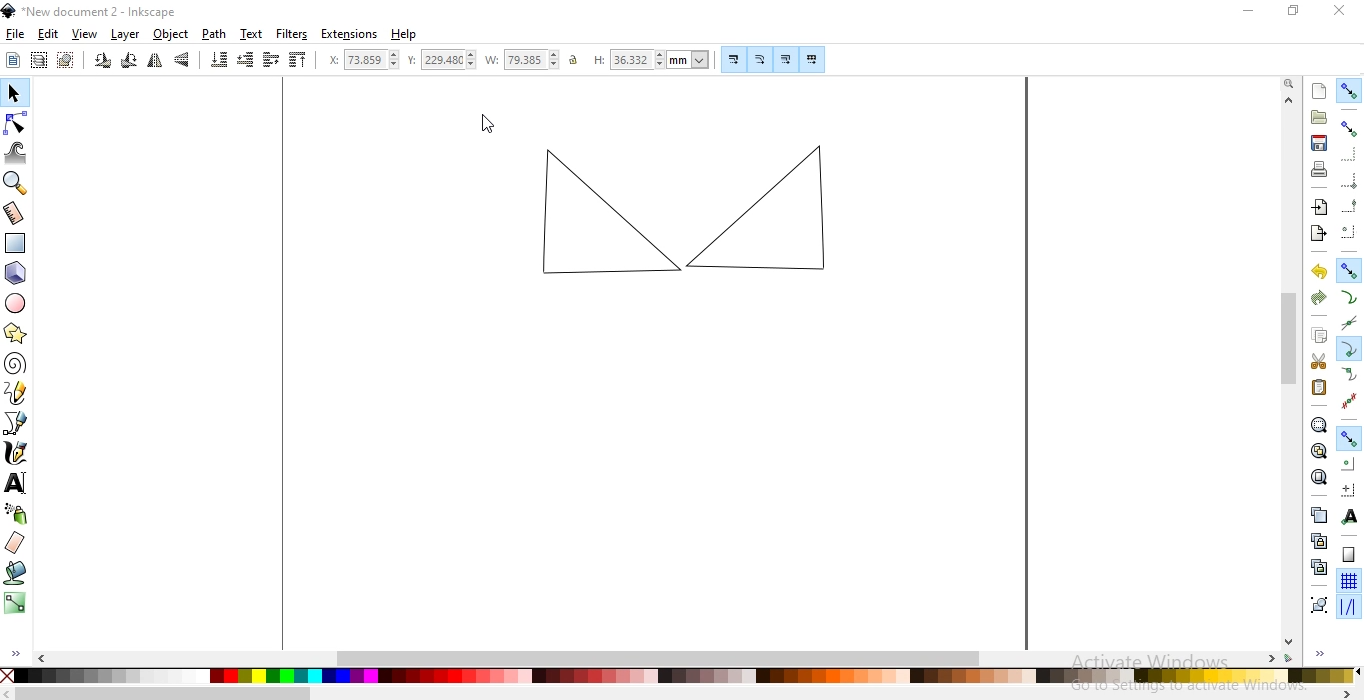  Describe the element at coordinates (683, 204) in the screenshot. I see `object image` at that location.